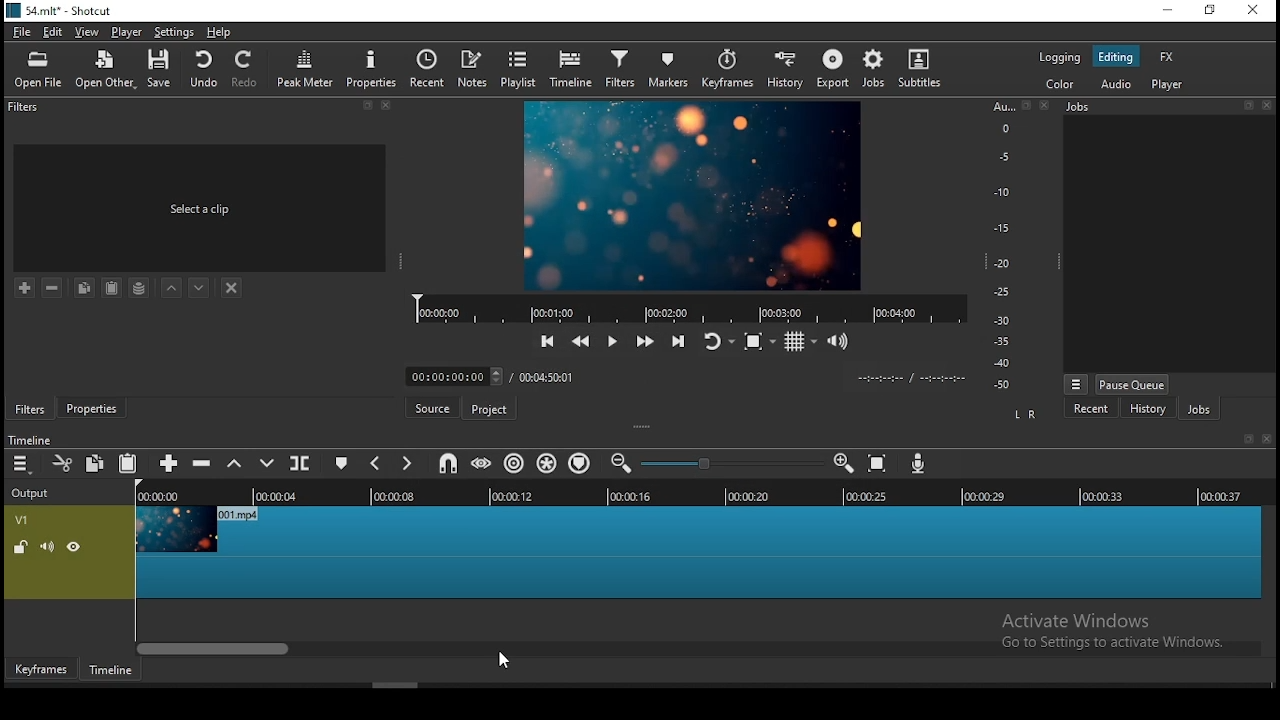  I want to click on open other, so click(107, 71).